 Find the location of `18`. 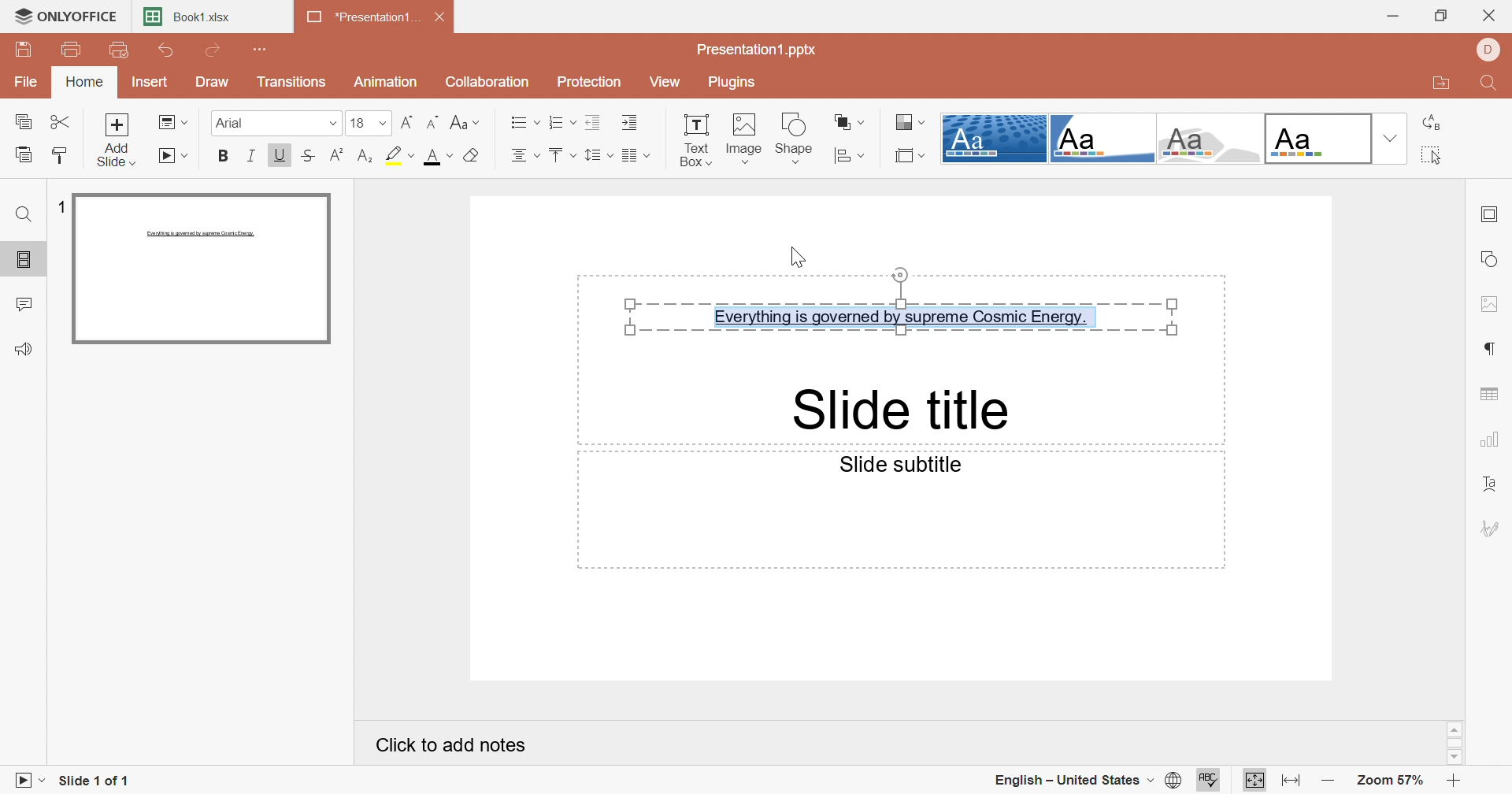

18 is located at coordinates (369, 124).